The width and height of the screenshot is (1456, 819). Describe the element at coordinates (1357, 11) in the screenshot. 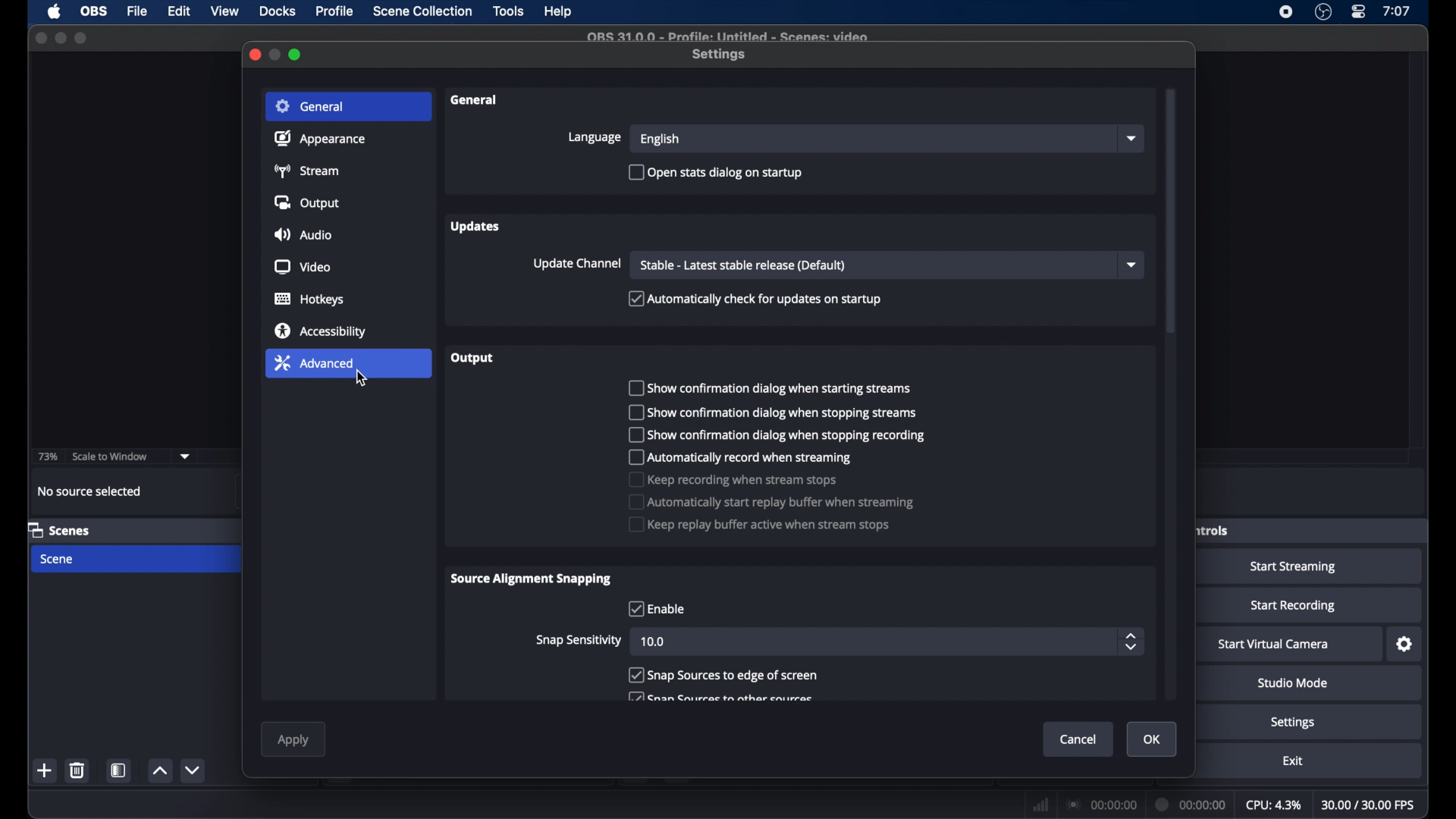

I see `control center` at that location.